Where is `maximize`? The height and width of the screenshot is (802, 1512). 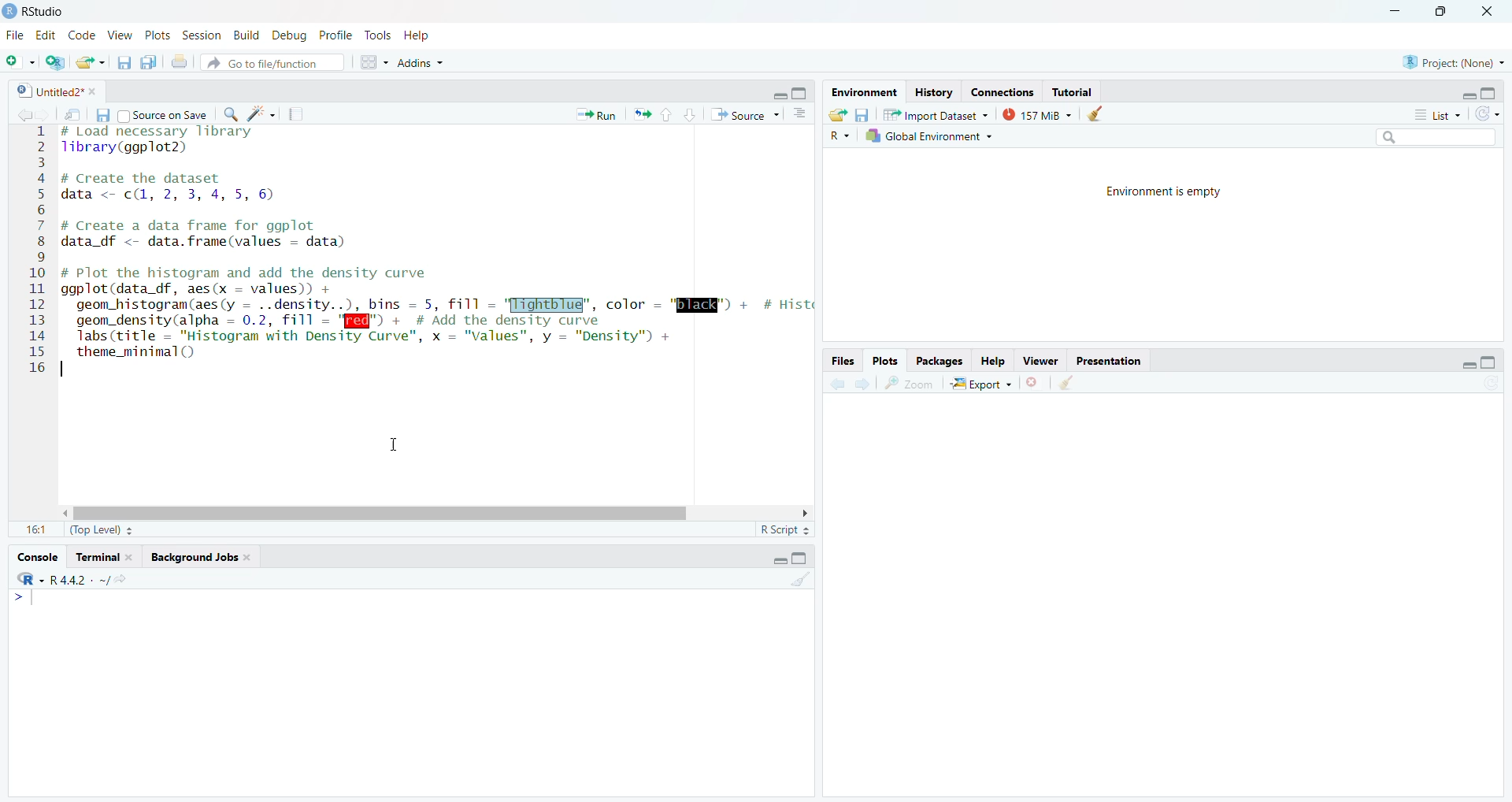 maximize is located at coordinates (1443, 12).